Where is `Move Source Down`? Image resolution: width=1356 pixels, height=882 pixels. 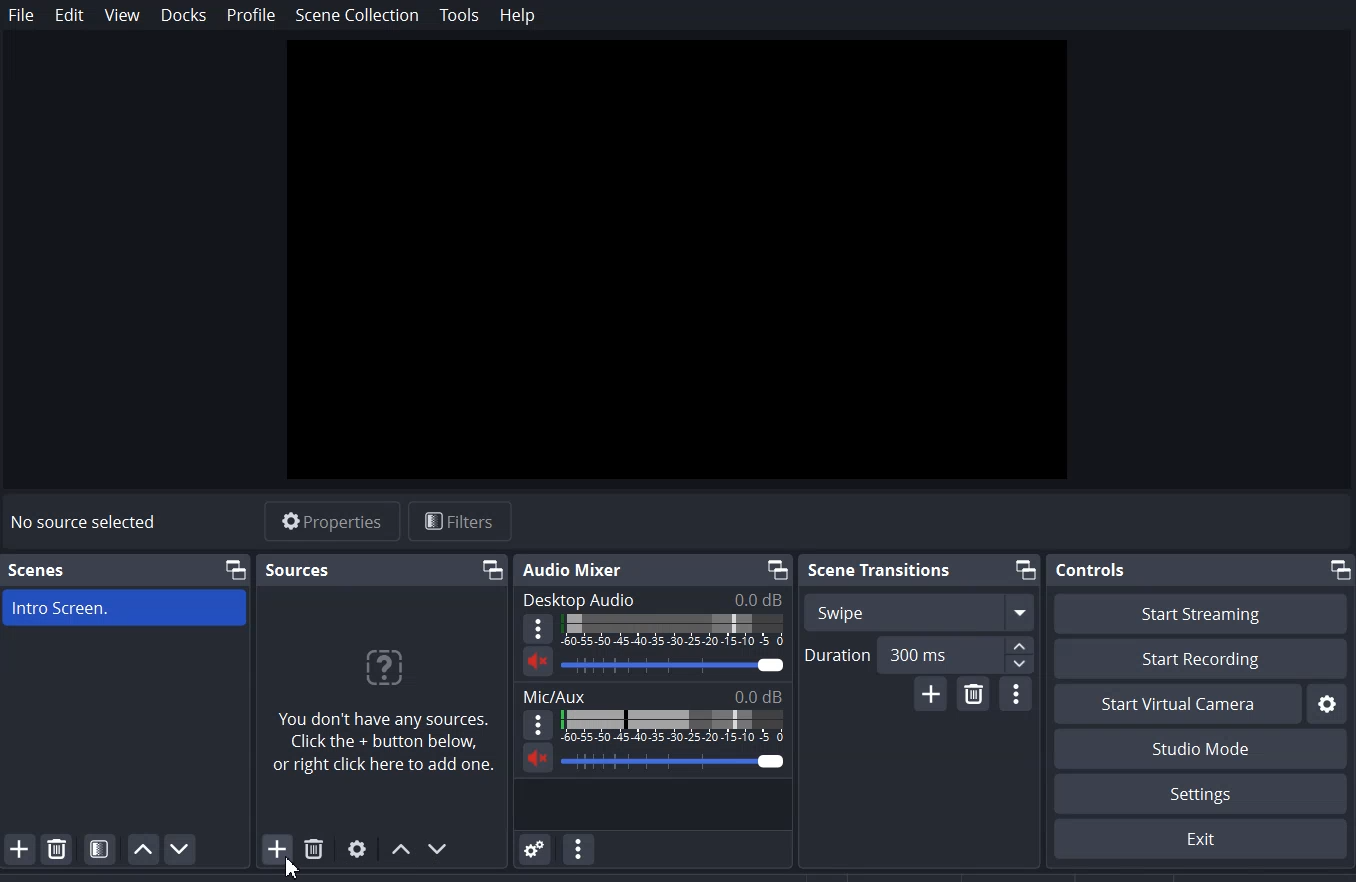 Move Source Down is located at coordinates (440, 848).